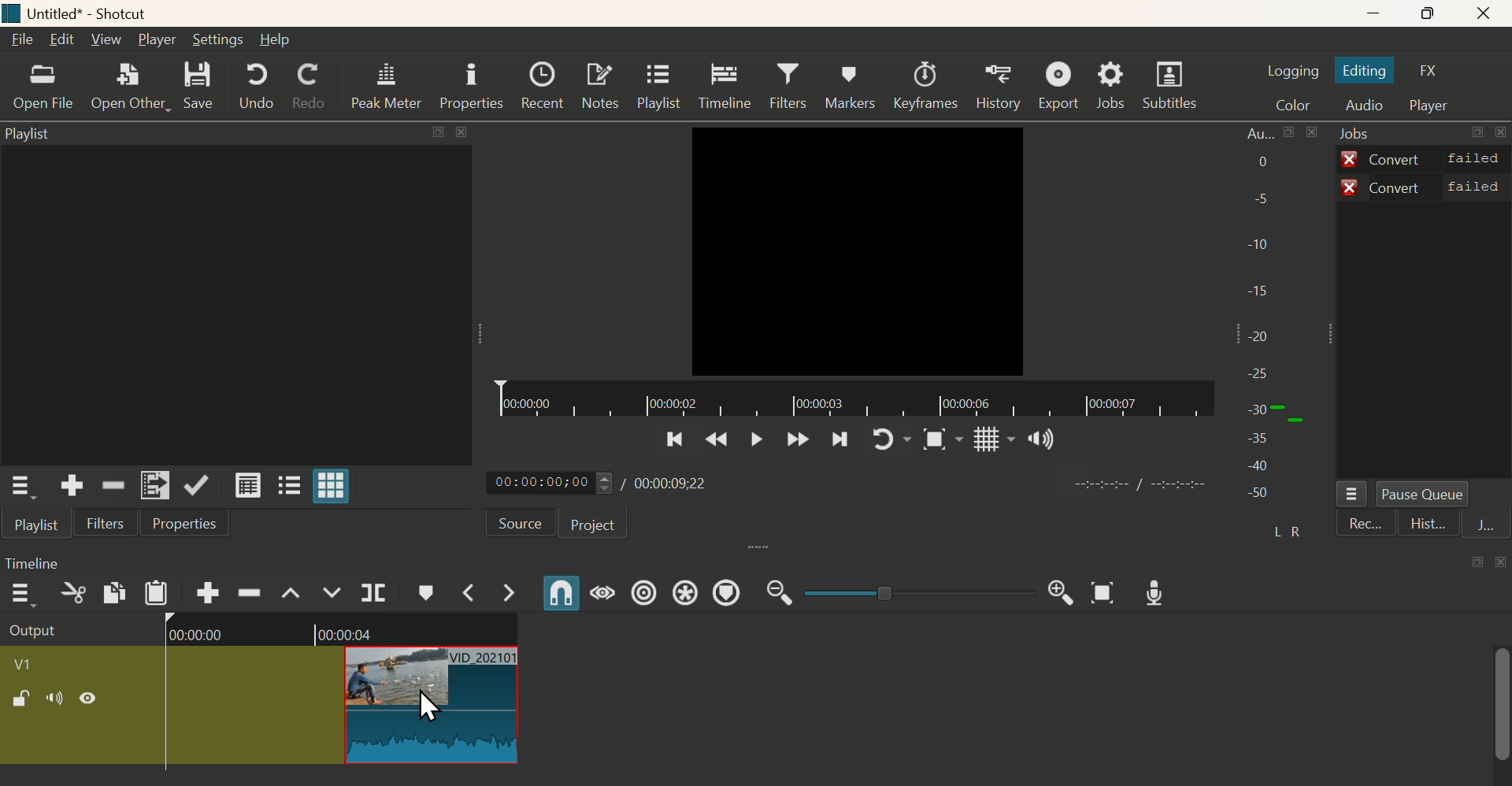 The height and width of the screenshot is (786, 1512). I want to click on Clip, so click(261, 700).